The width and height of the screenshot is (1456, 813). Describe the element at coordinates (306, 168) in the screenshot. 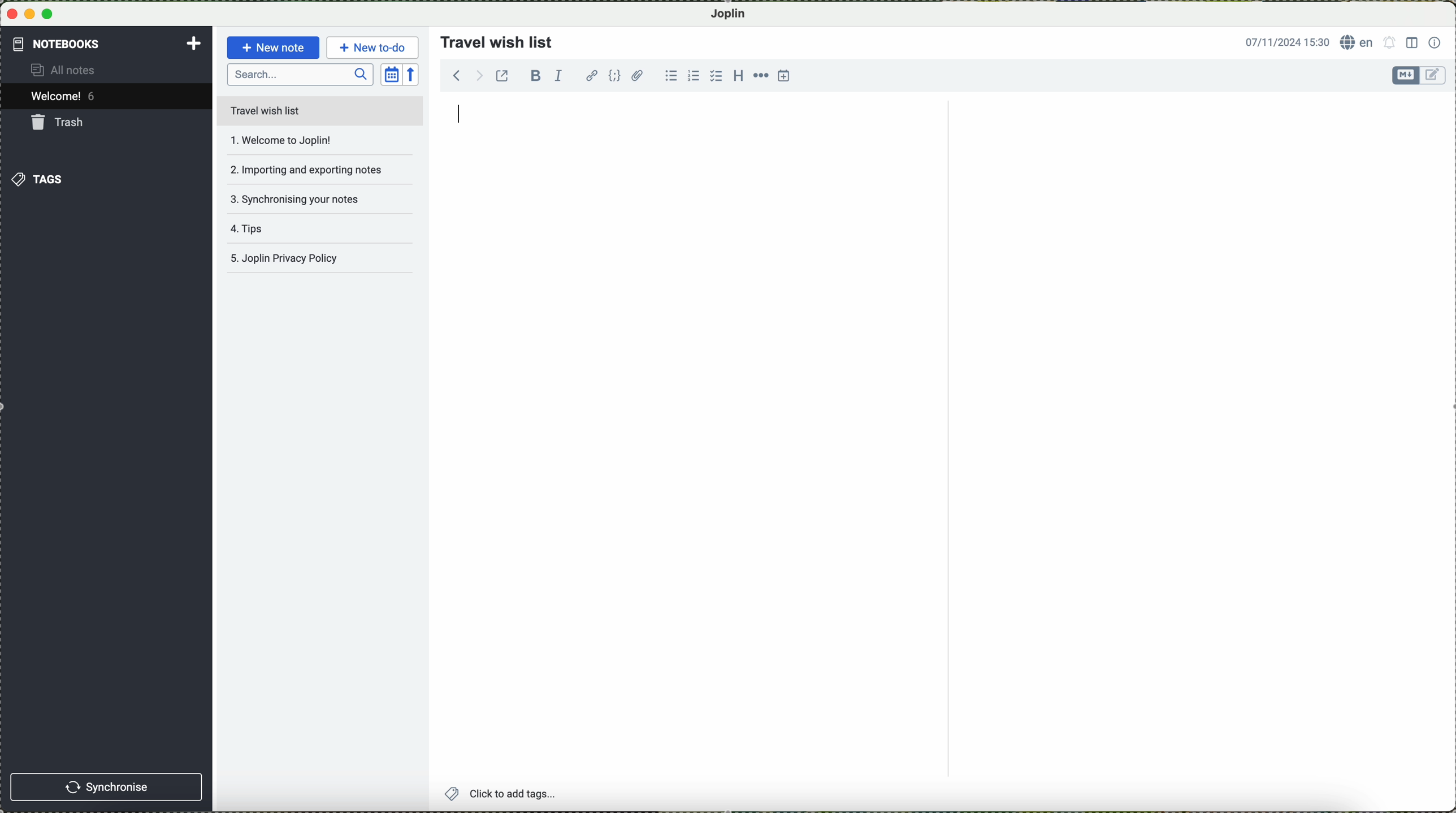

I see `importing and exporting notes` at that location.